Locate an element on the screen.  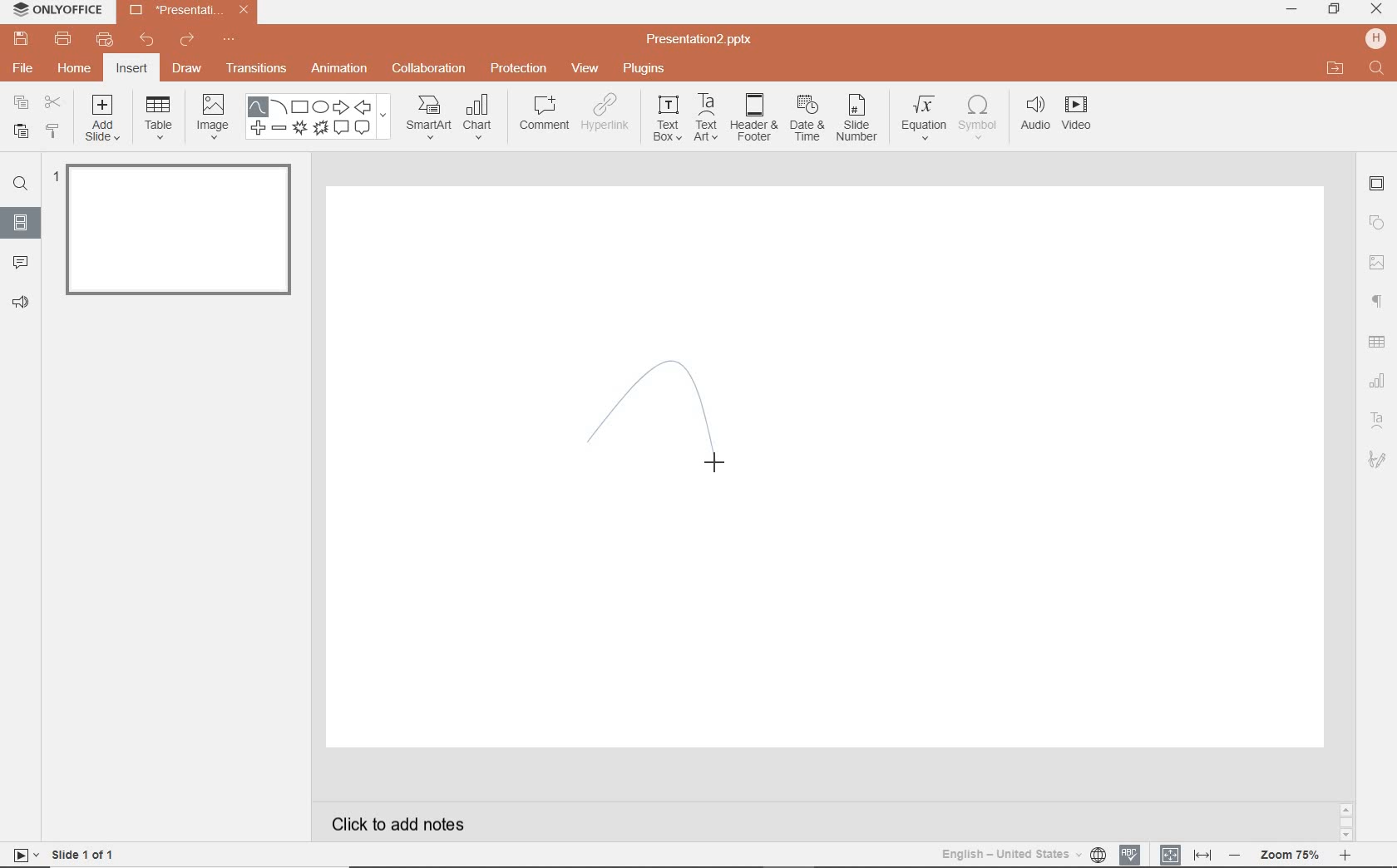
TEXT BOX is located at coordinates (665, 121).